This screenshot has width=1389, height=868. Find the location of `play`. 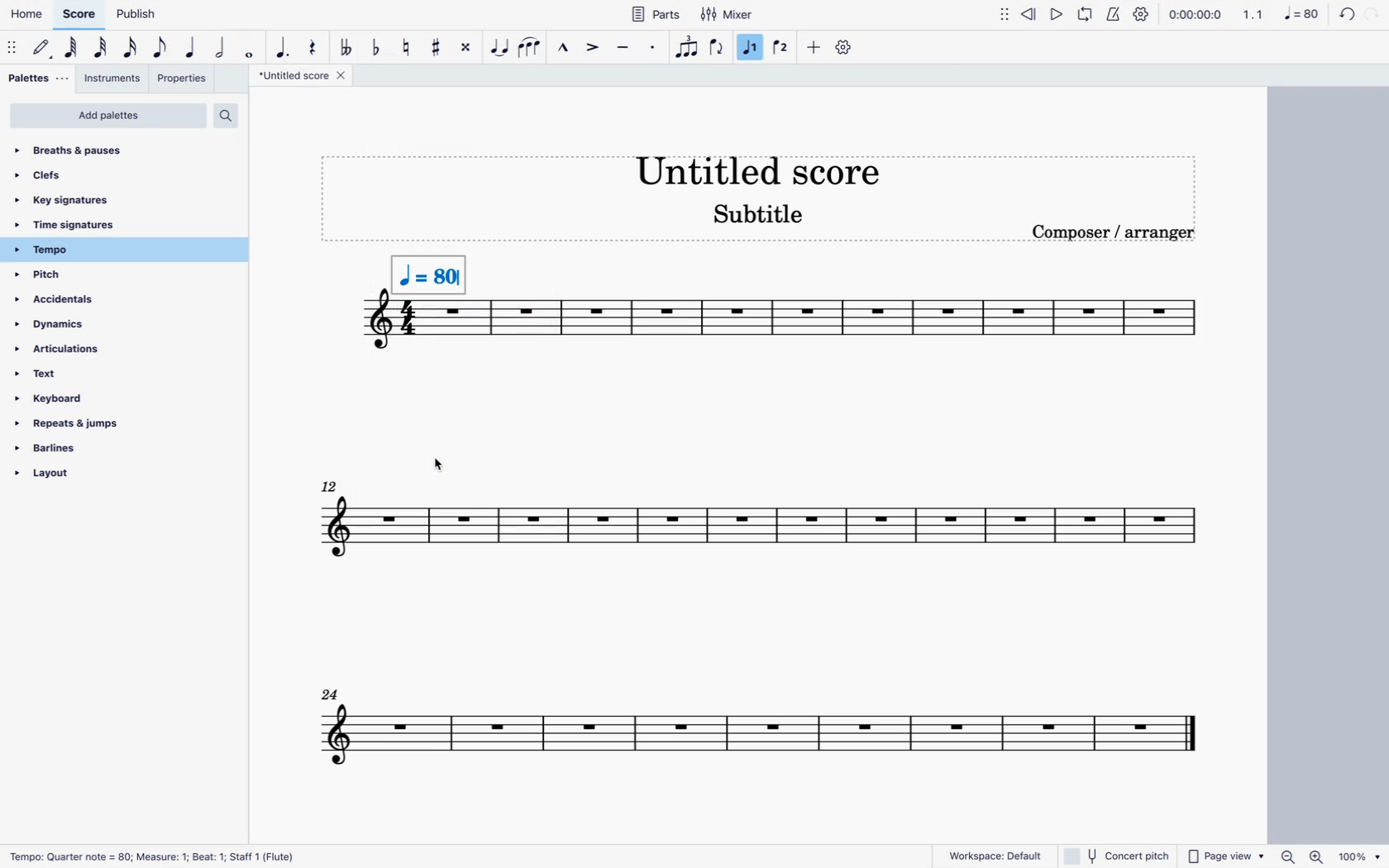

play is located at coordinates (1055, 14).